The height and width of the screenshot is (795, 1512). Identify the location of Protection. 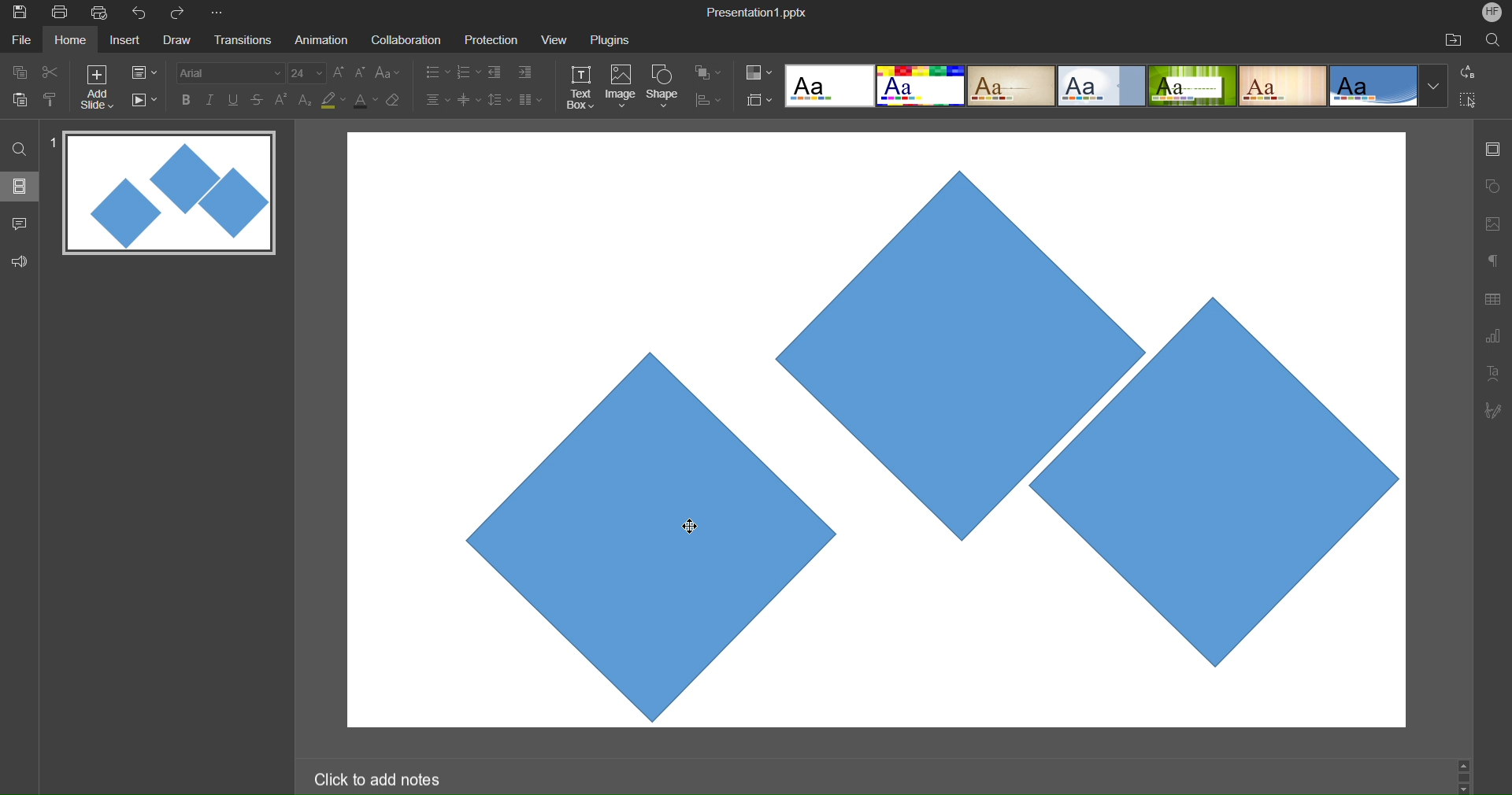
(484, 39).